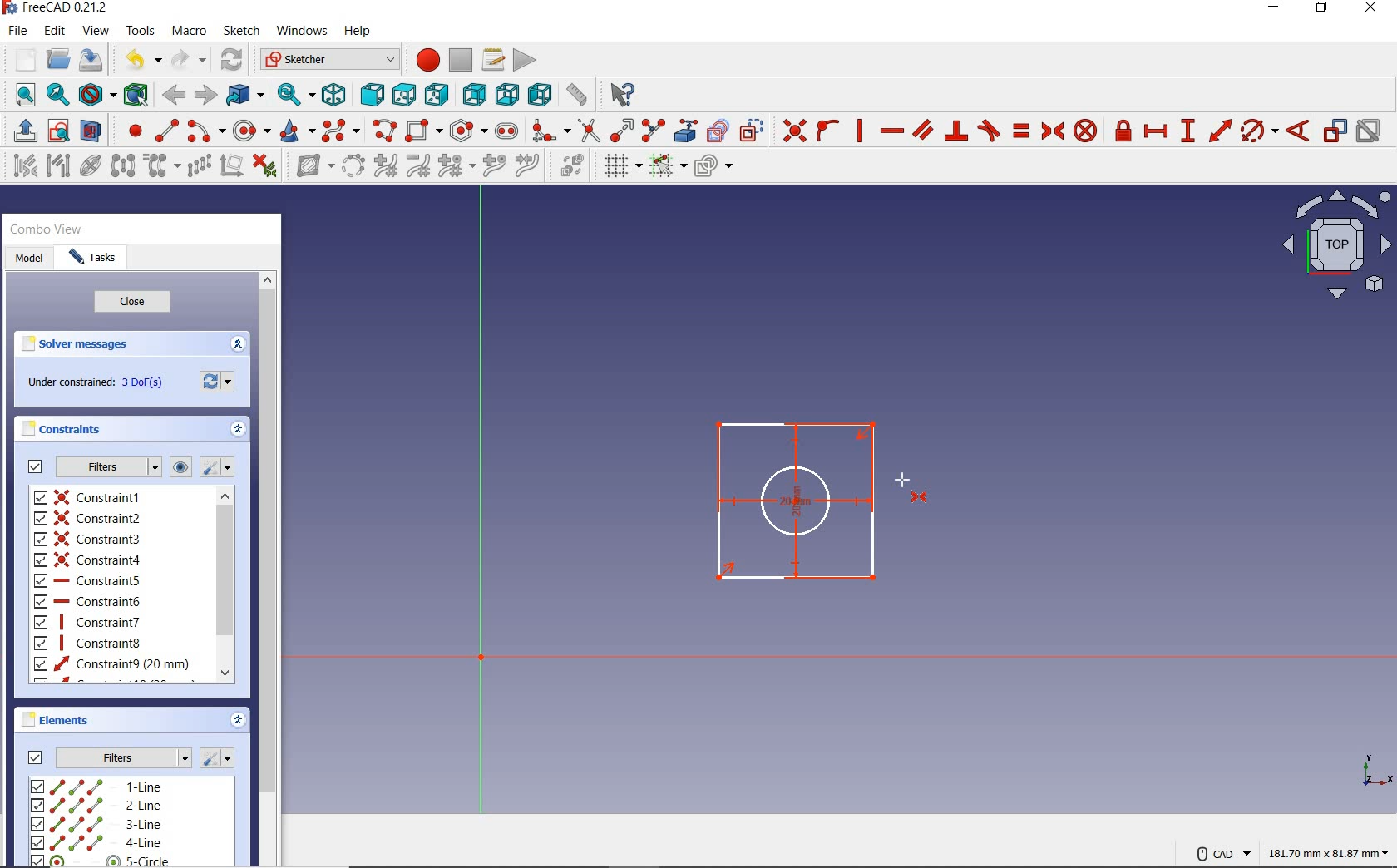  Describe the element at coordinates (87, 580) in the screenshot. I see `constraint5` at that location.